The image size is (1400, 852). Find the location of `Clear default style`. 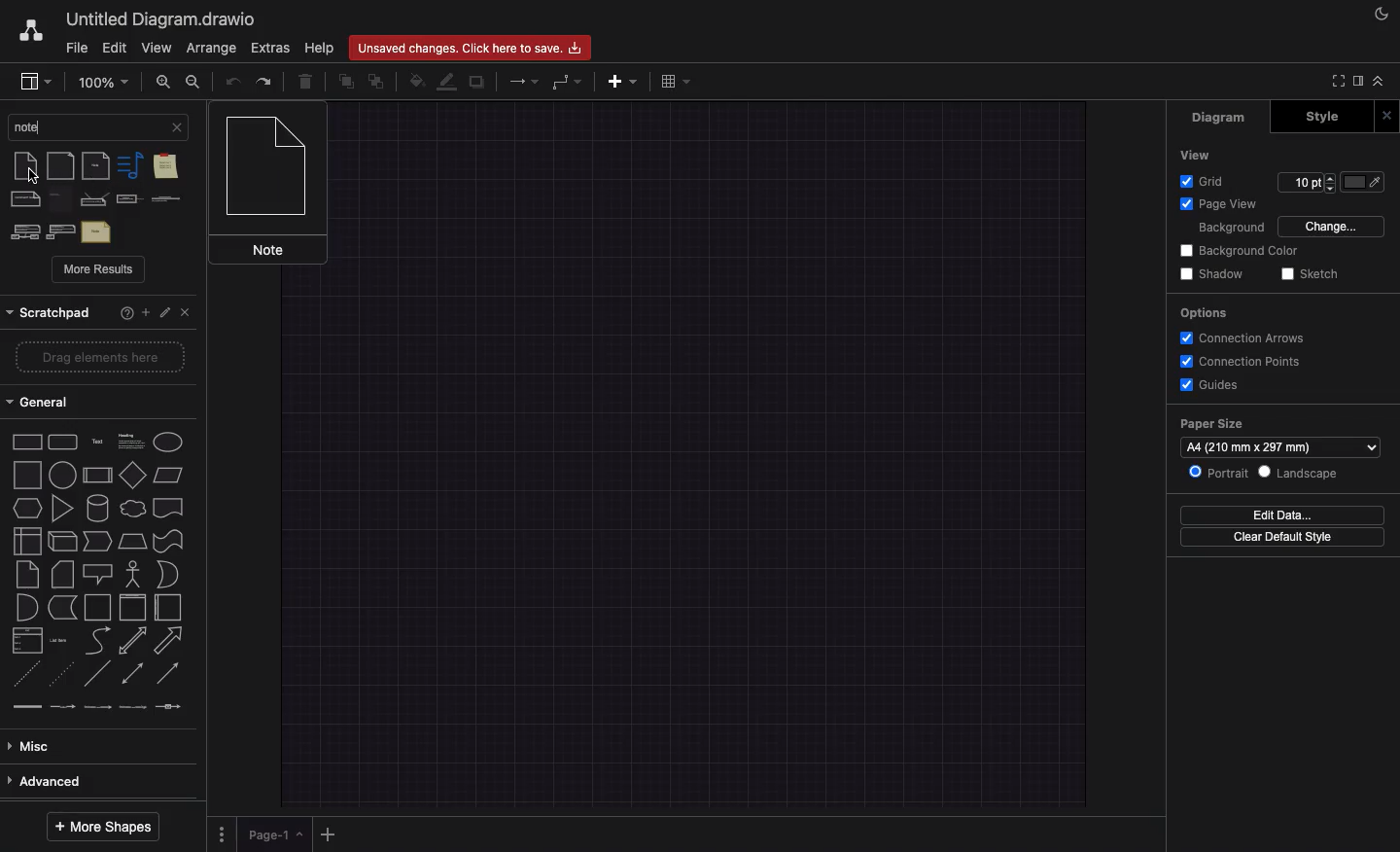

Clear default style is located at coordinates (1281, 538).